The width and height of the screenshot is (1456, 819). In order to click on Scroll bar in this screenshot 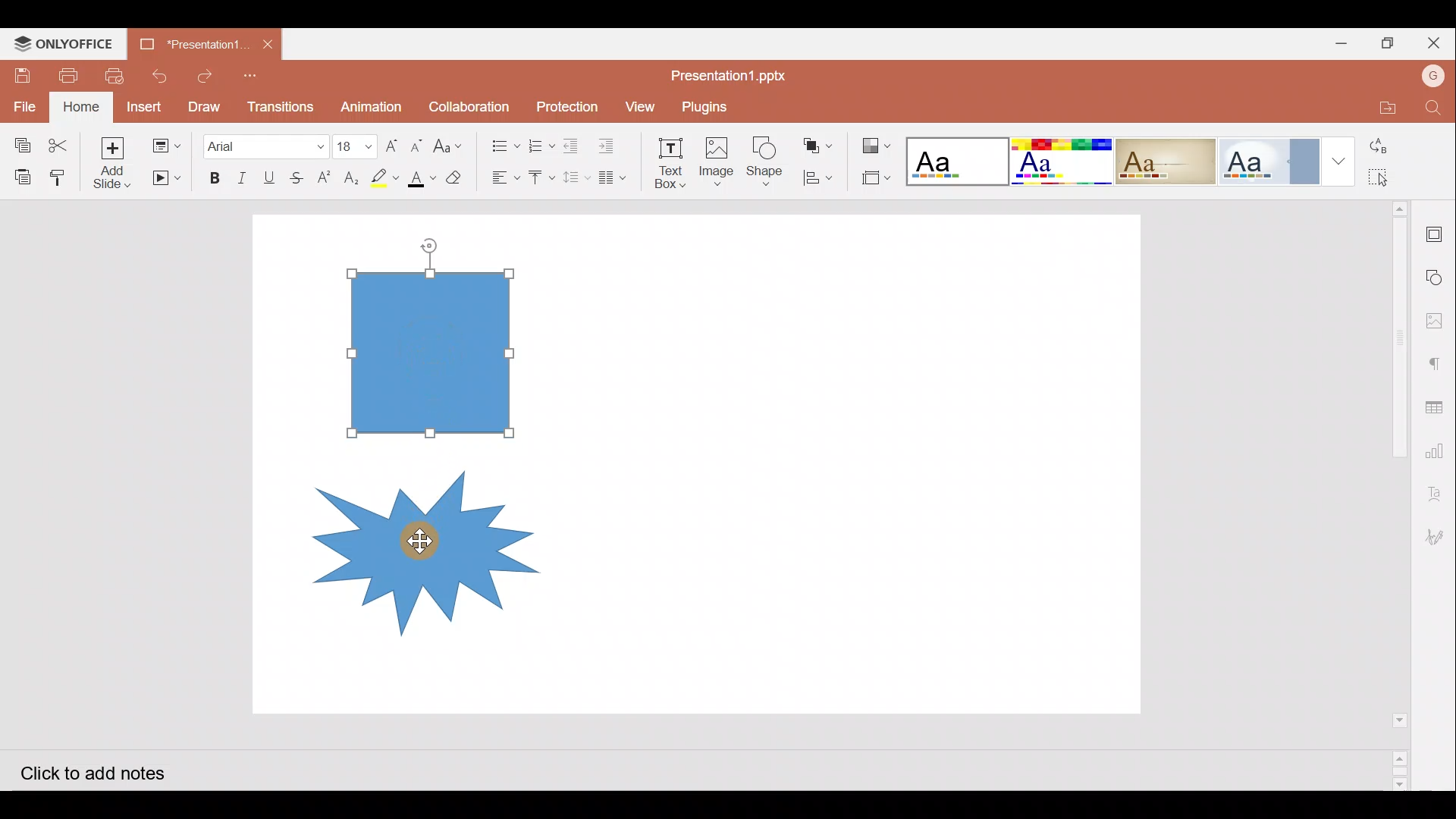, I will do `click(1389, 494)`.